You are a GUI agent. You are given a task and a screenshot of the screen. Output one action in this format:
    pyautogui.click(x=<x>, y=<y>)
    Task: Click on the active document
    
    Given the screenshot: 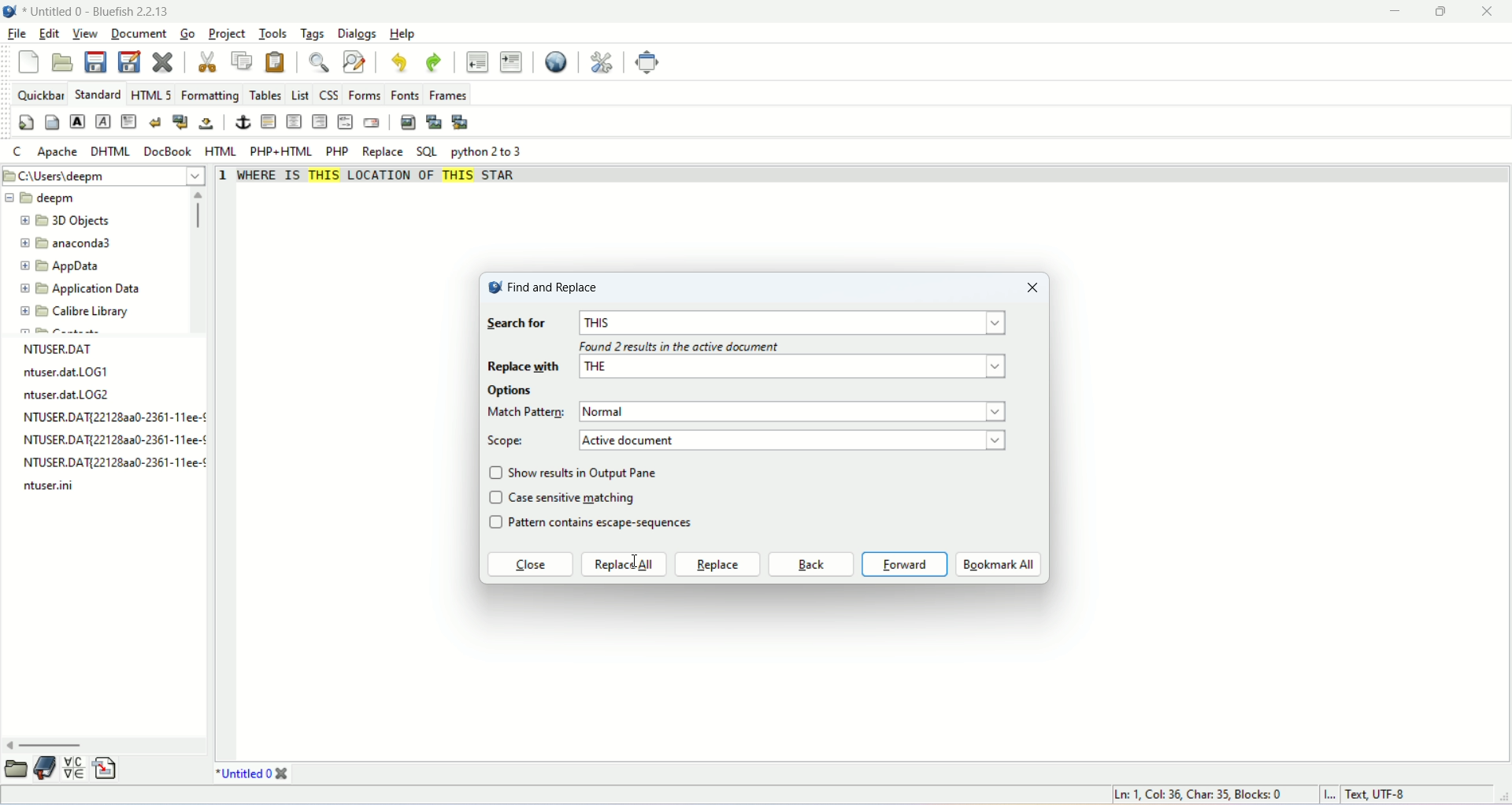 What is the action you would take?
    pyautogui.click(x=797, y=440)
    